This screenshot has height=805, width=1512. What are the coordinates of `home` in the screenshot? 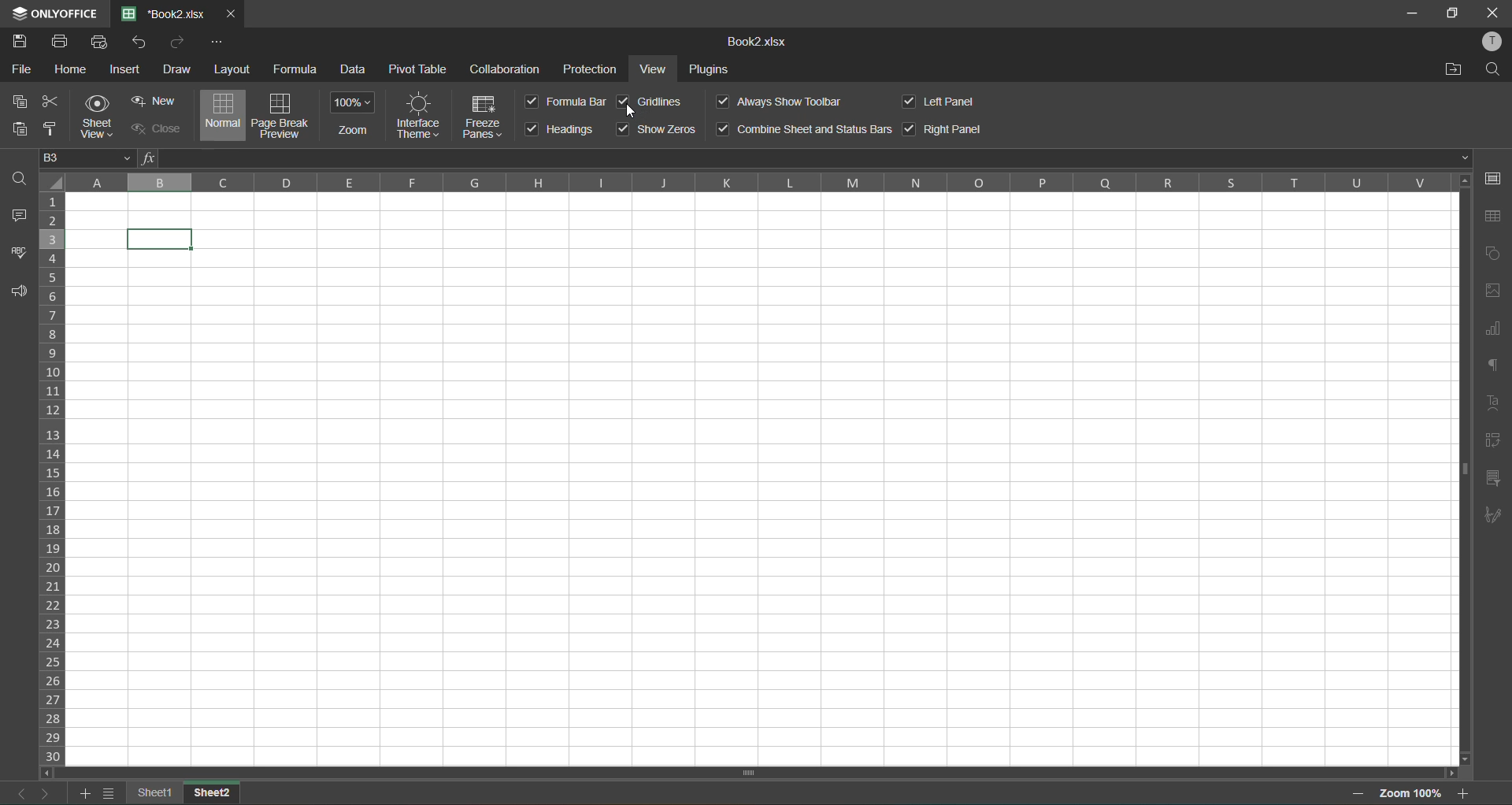 It's located at (75, 70).